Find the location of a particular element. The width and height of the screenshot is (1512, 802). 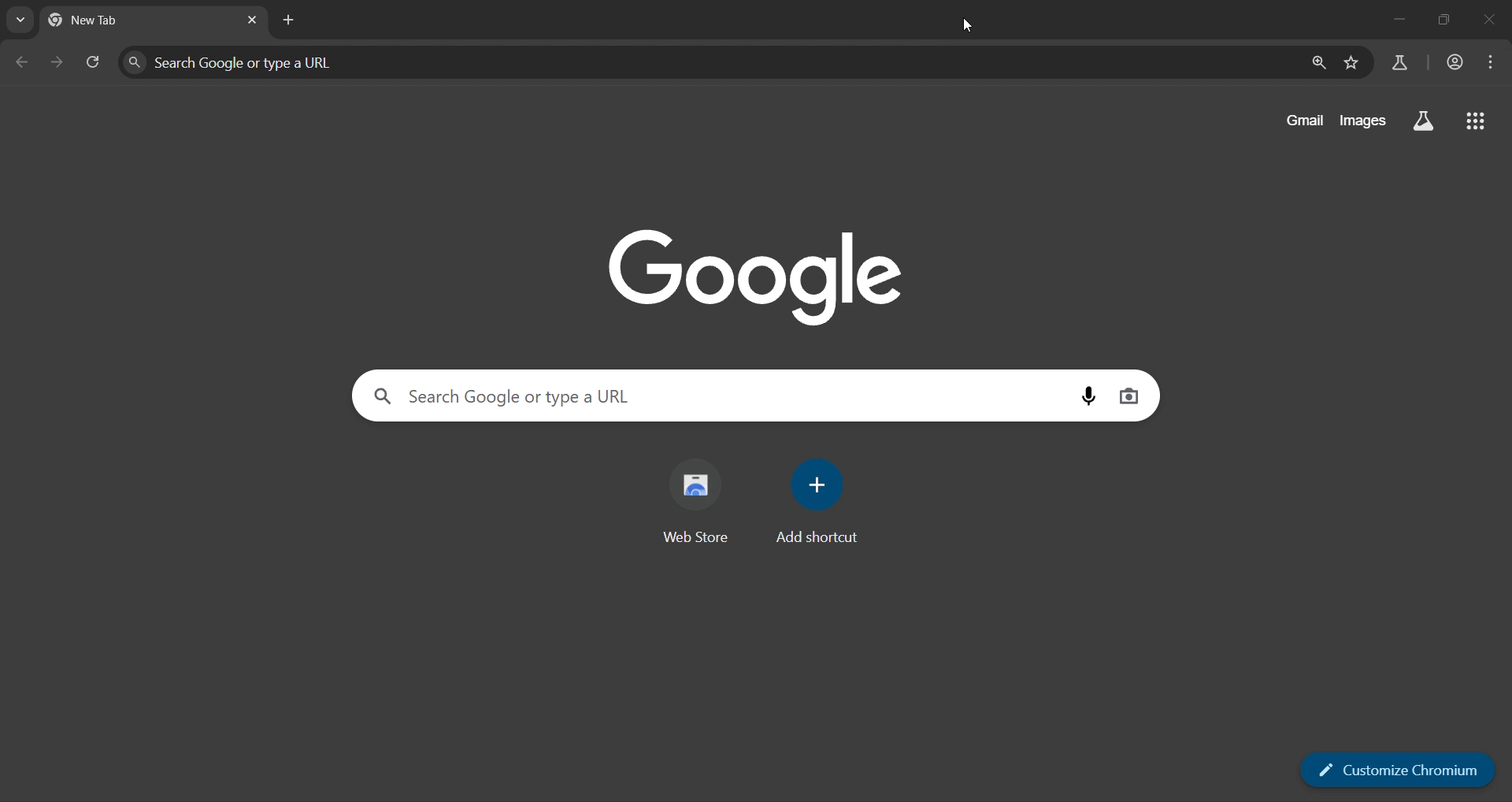

Search Google or type a URL is located at coordinates (500, 395).